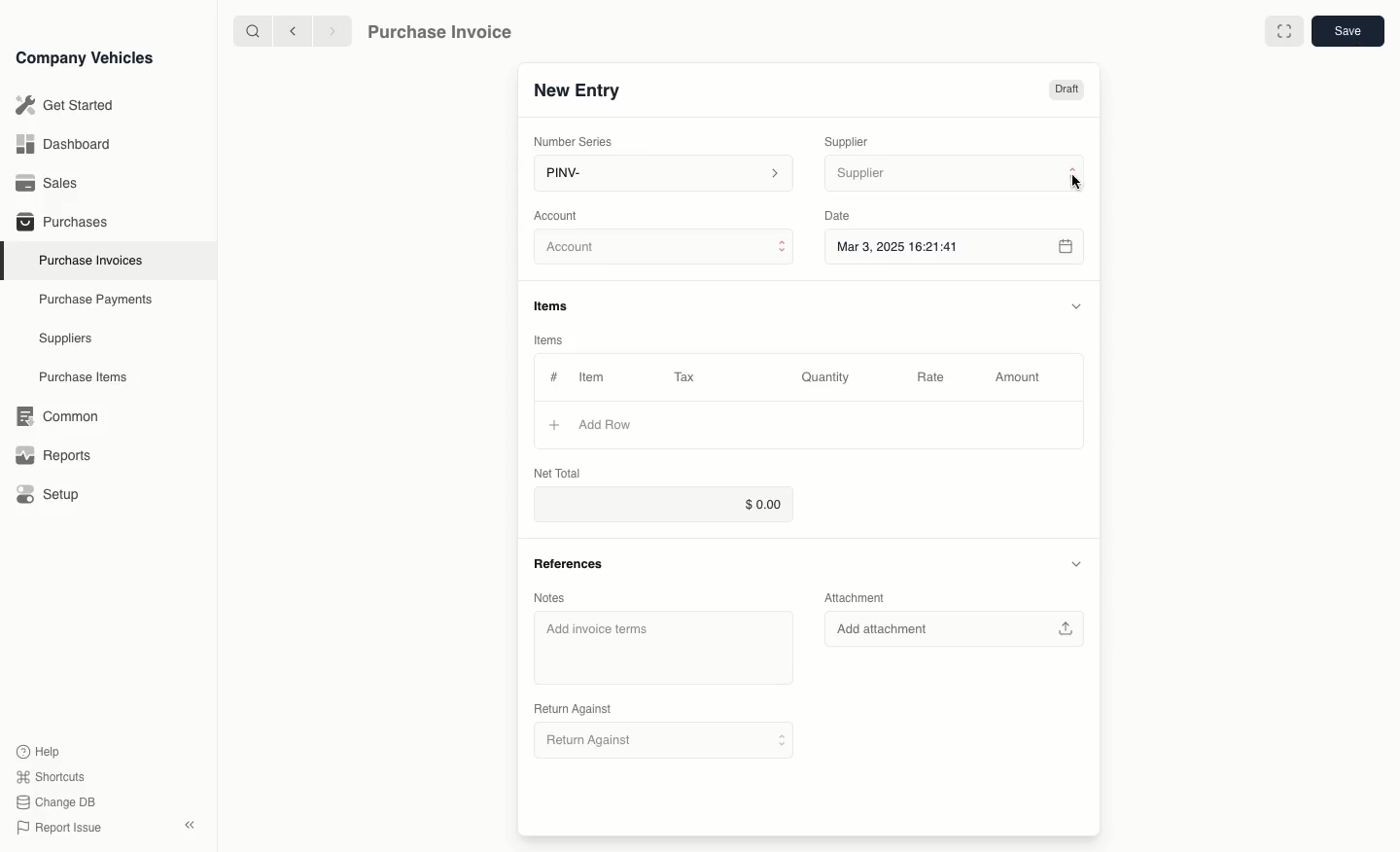 The width and height of the screenshot is (1400, 852). What do you see at coordinates (76, 377) in the screenshot?
I see `Purchase items` at bounding box center [76, 377].